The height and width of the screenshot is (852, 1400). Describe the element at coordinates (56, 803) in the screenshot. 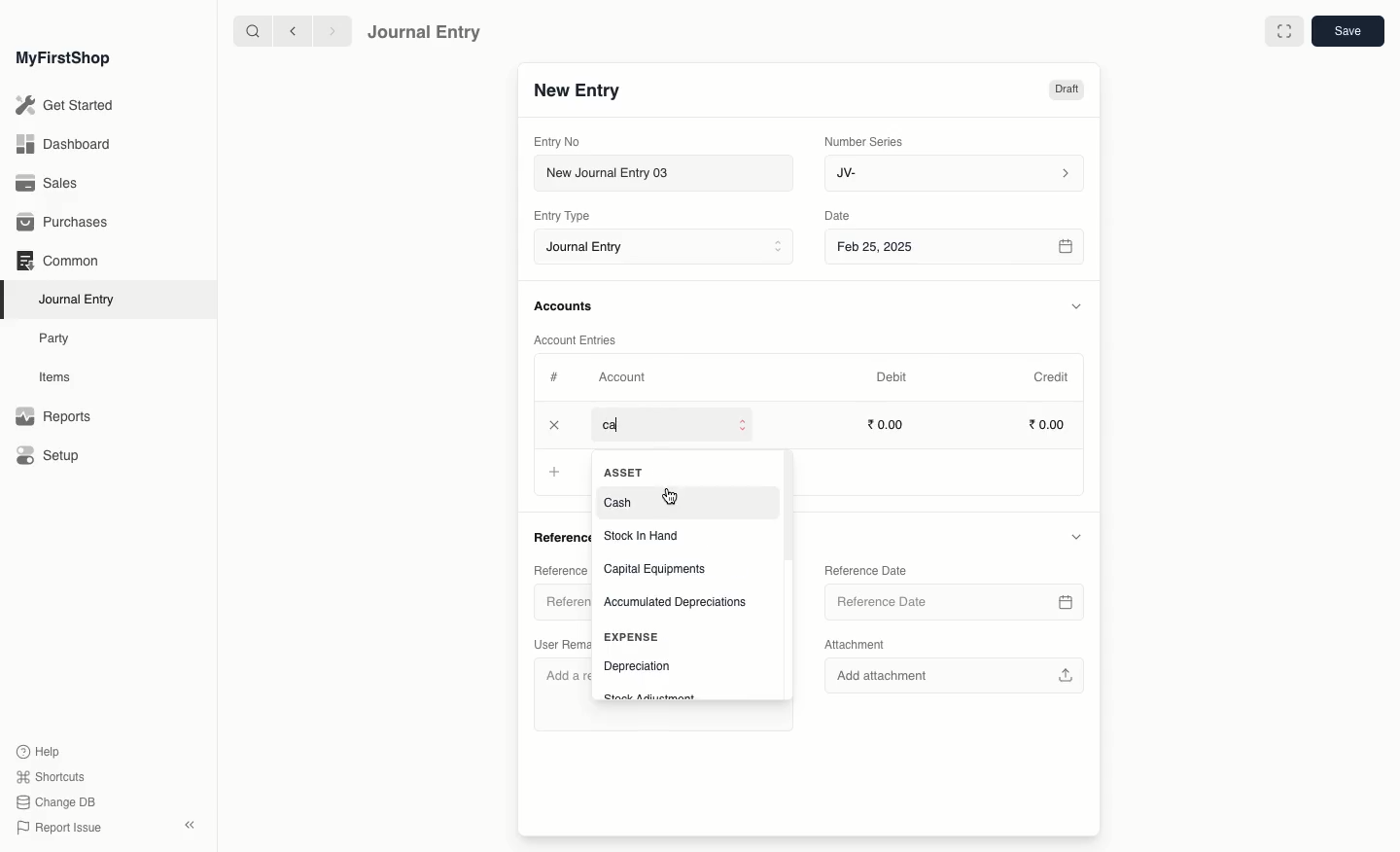

I see `Change DB` at that location.